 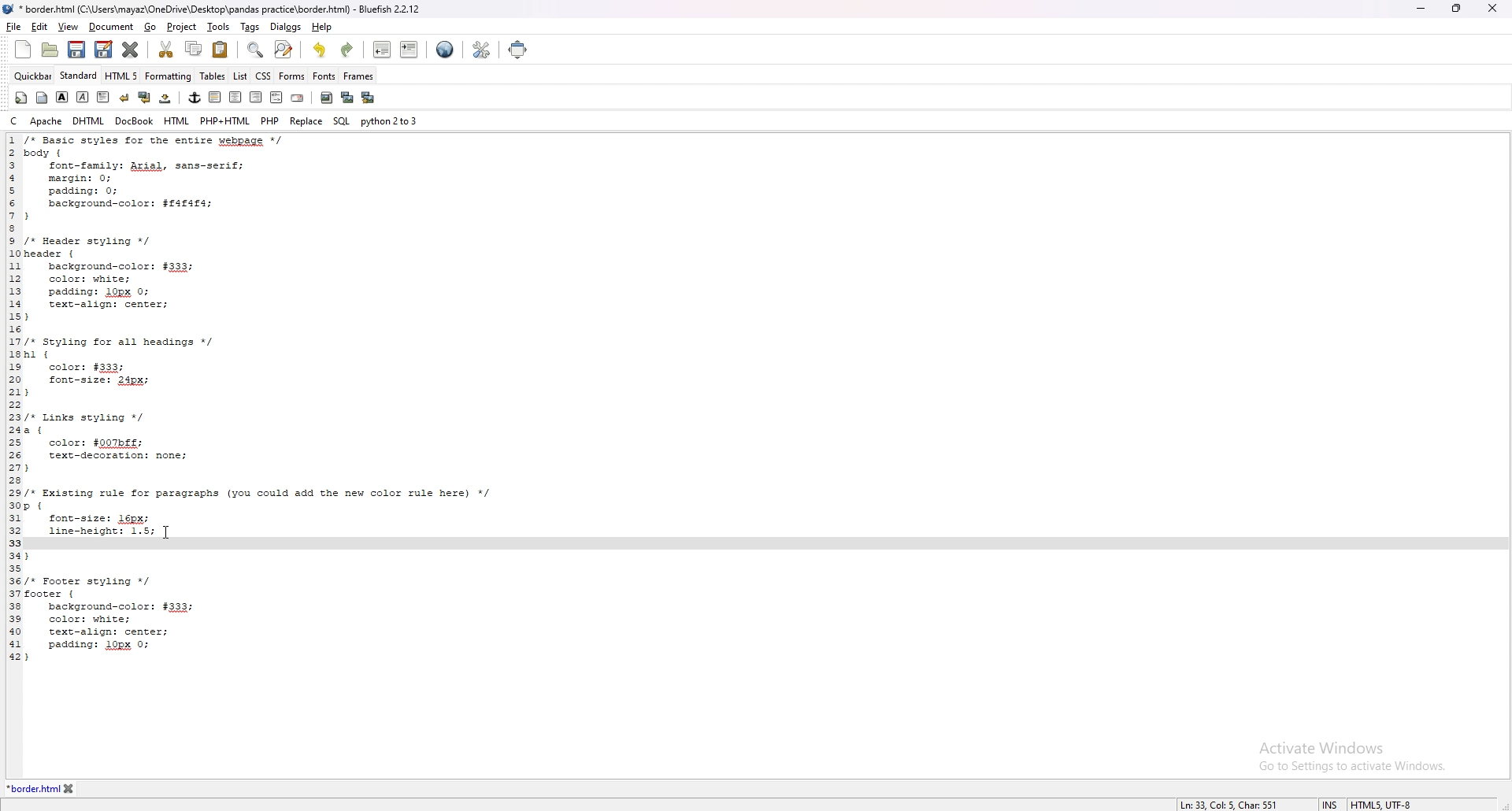 What do you see at coordinates (1495, 9) in the screenshot?
I see `close` at bounding box center [1495, 9].